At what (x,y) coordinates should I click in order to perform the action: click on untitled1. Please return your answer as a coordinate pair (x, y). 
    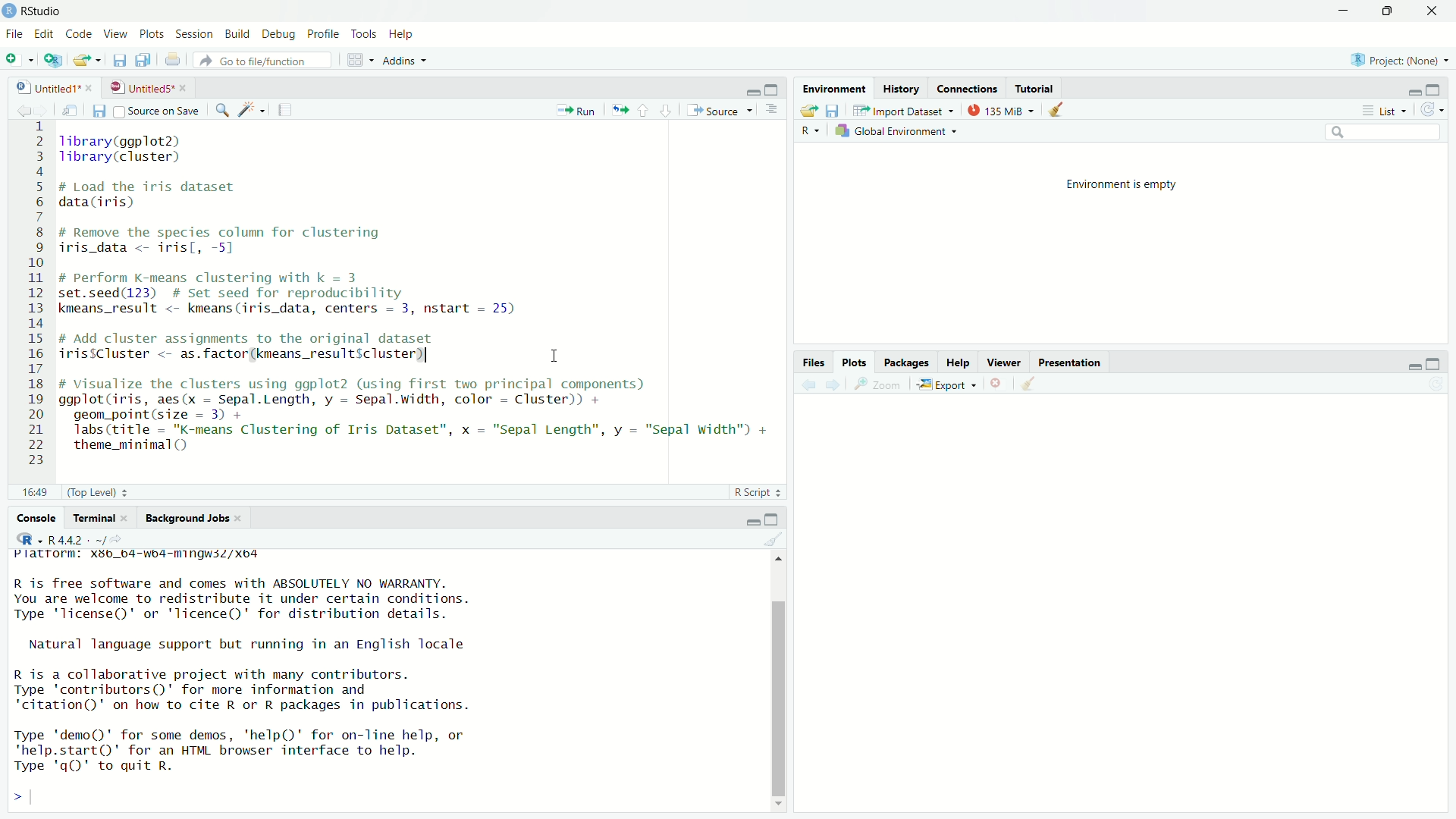
    Looking at the image, I should click on (40, 85).